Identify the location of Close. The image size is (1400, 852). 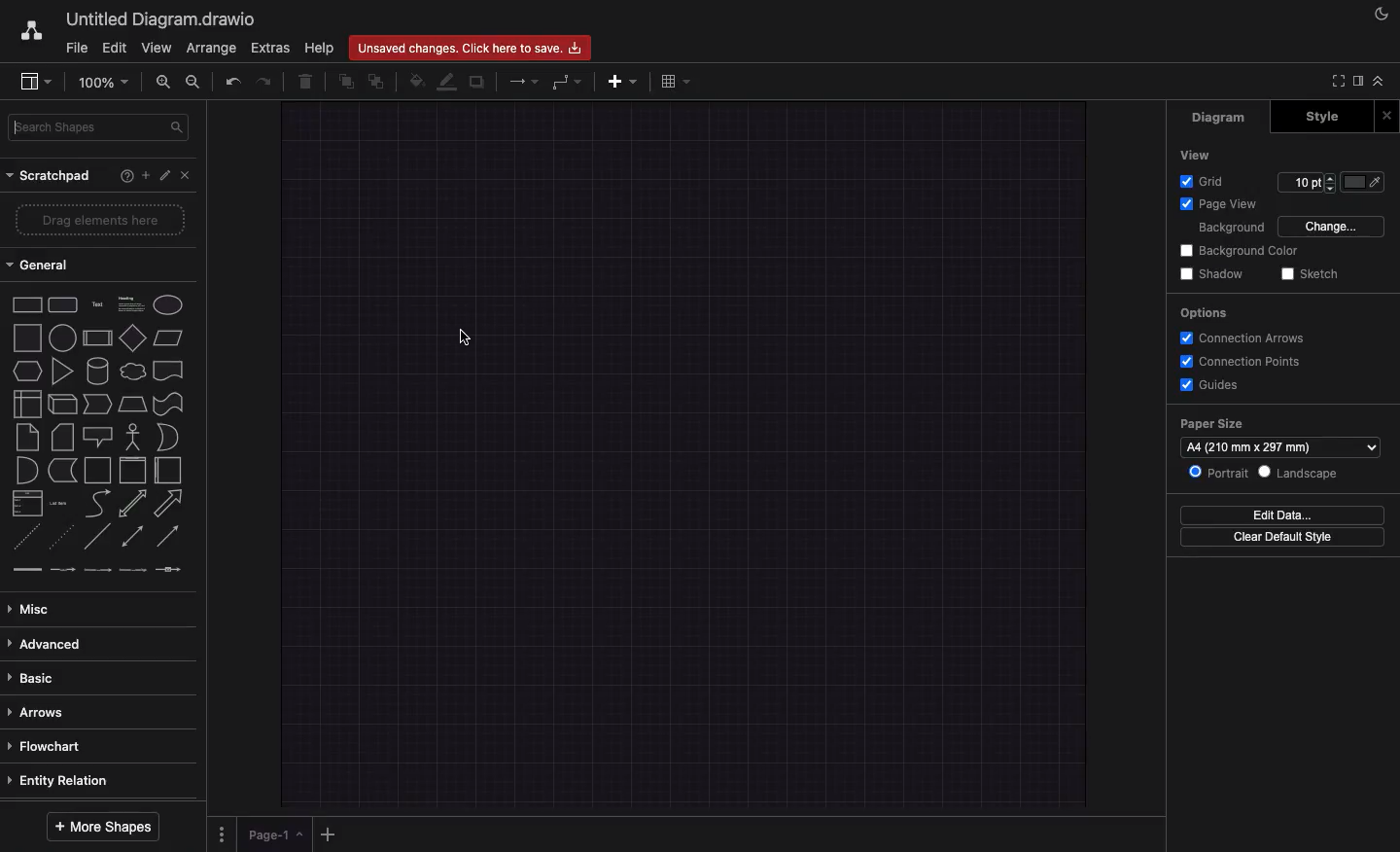
(184, 175).